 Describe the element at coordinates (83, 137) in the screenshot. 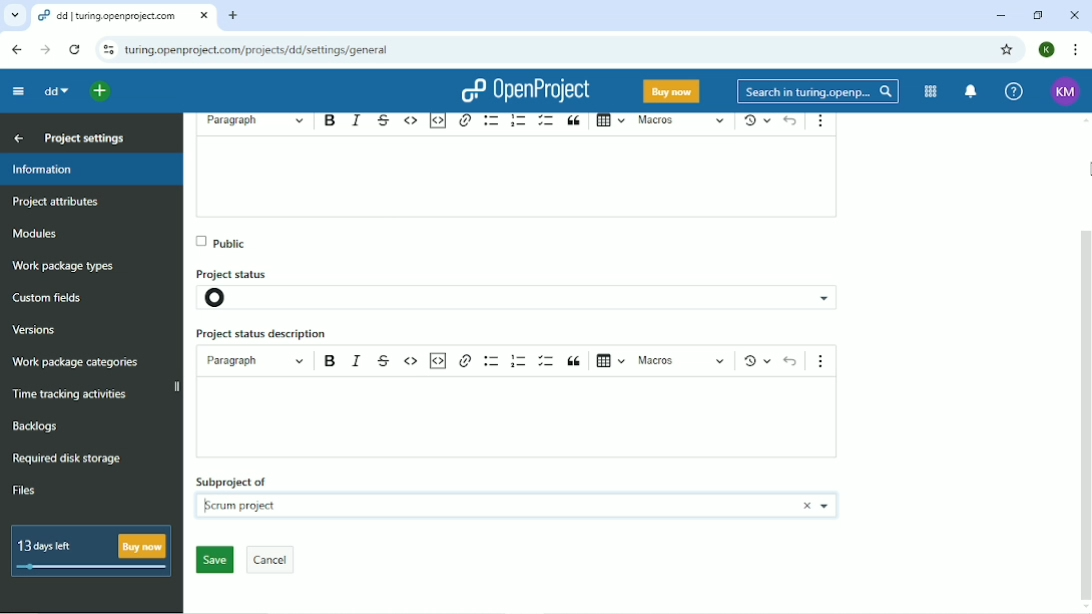

I see `Project settings` at that location.